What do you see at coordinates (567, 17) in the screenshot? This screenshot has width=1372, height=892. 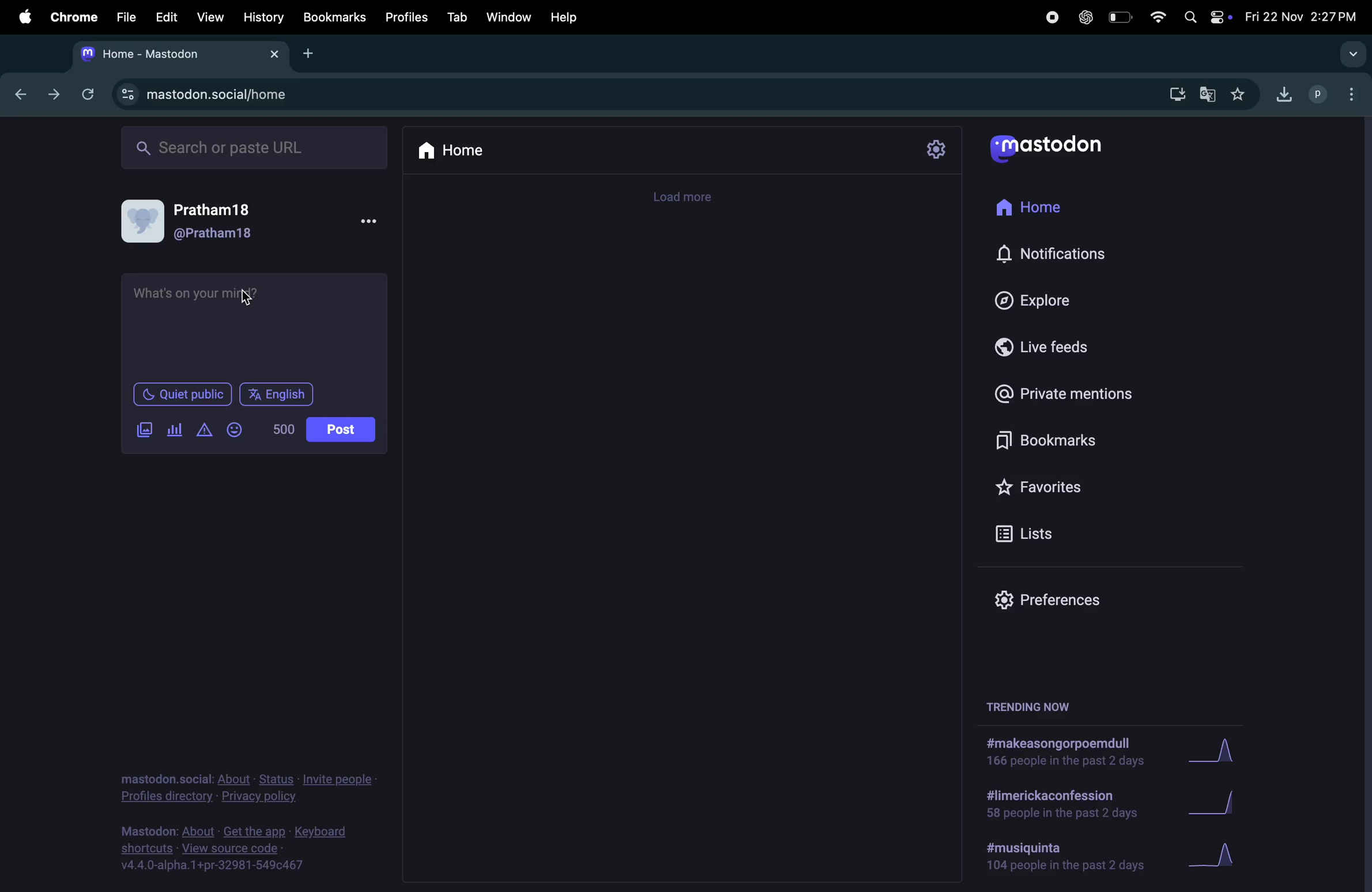 I see `help` at bounding box center [567, 17].